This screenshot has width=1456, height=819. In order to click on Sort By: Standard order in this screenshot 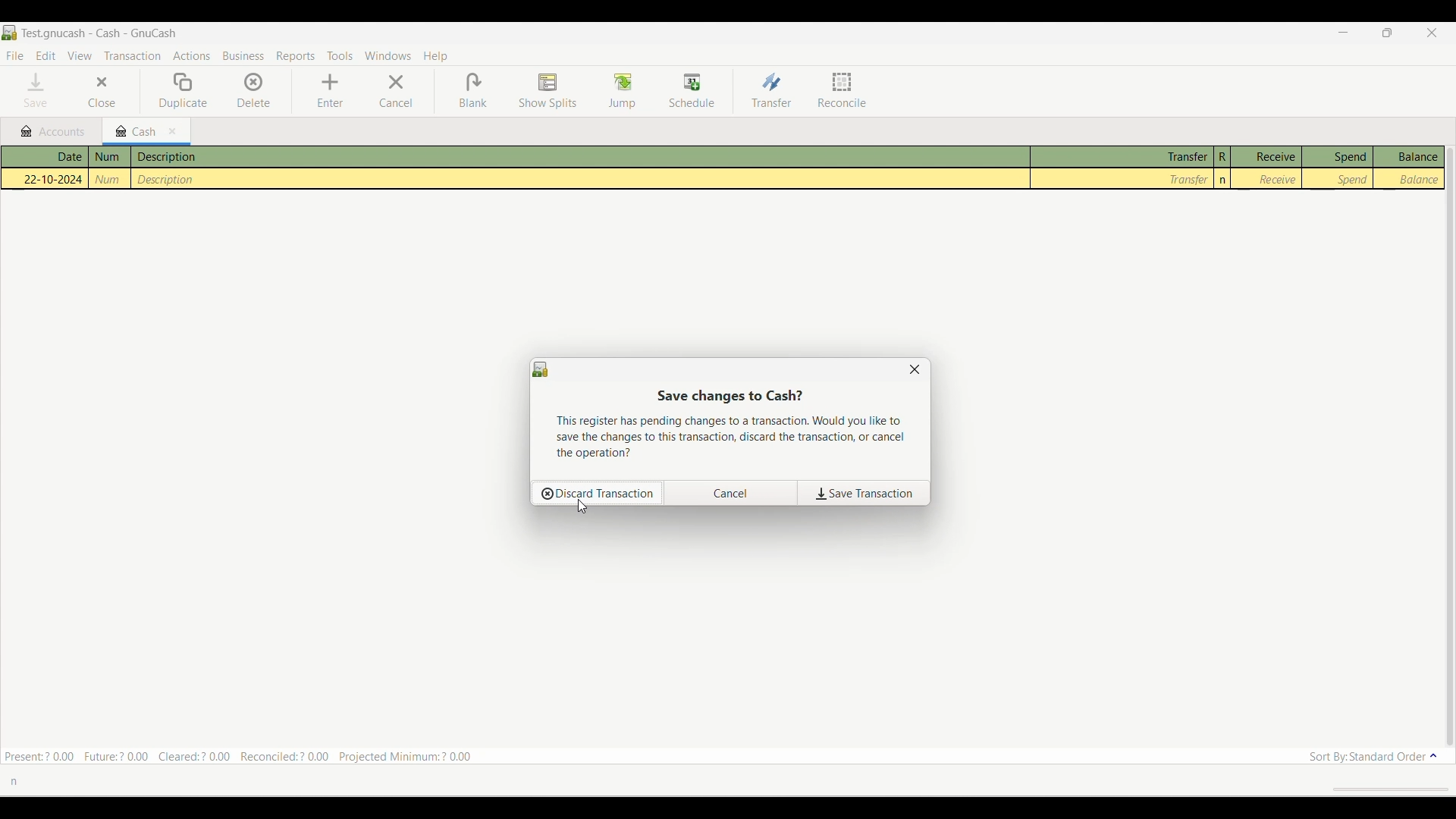, I will do `click(1370, 755)`.